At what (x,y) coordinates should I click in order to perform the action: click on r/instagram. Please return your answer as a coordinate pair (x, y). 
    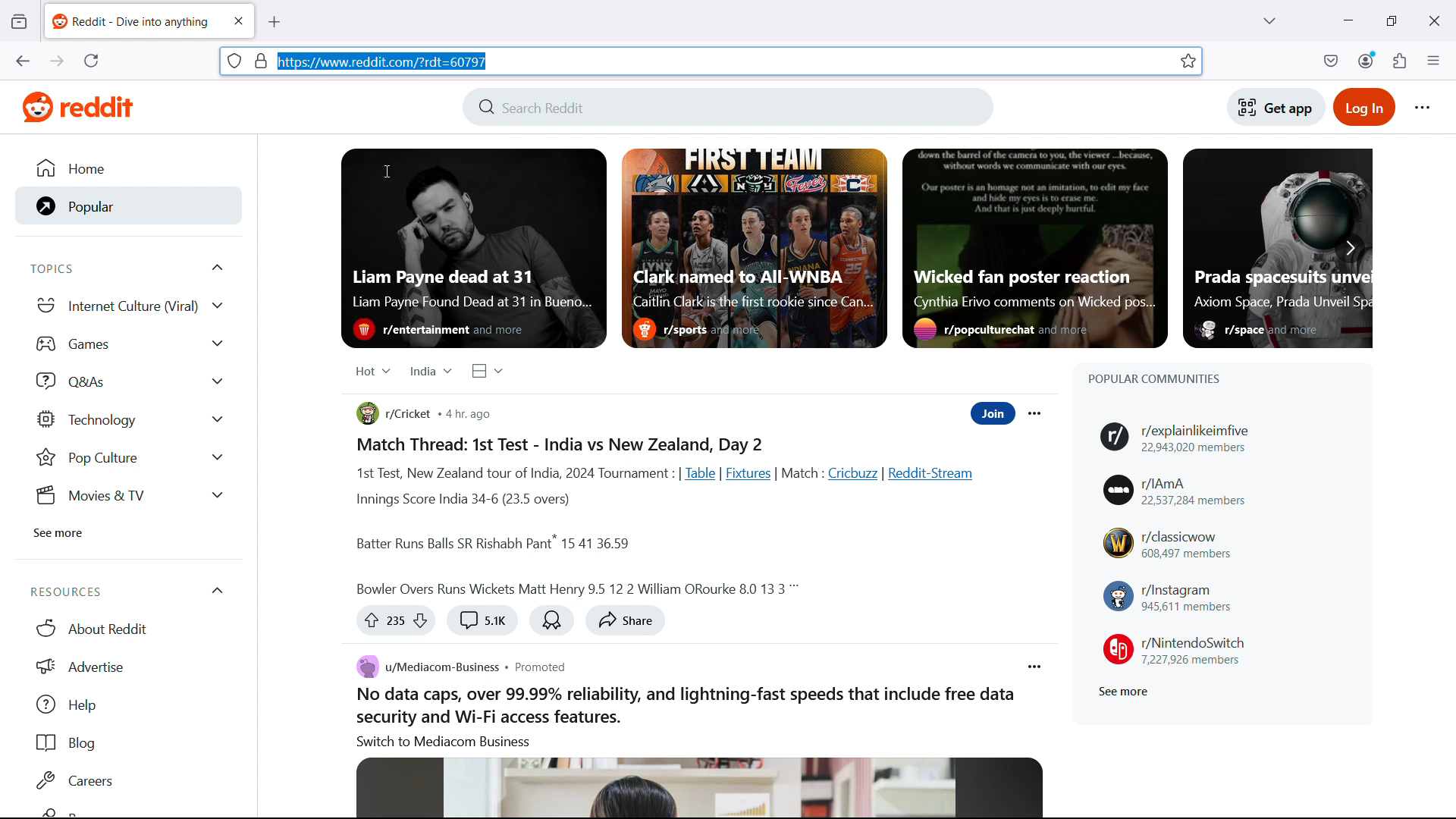
    Looking at the image, I should click on (1169, 597).